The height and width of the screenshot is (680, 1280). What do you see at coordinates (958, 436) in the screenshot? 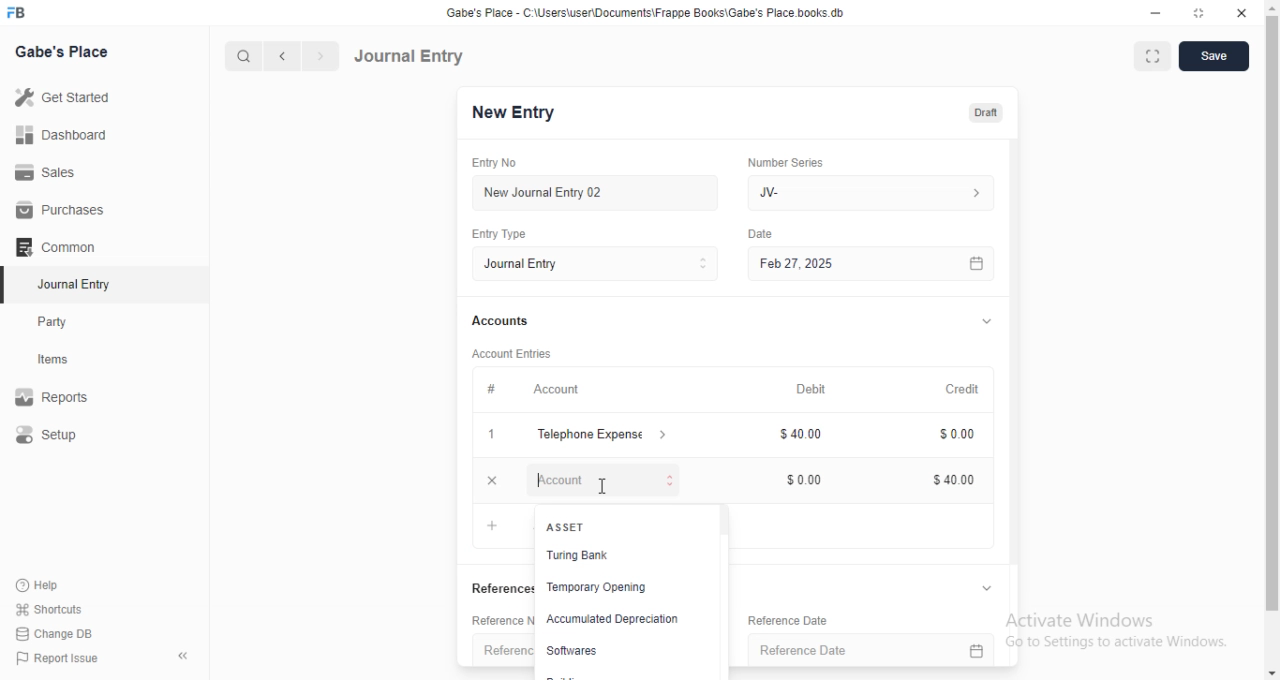
I see `0.00` at bounding box center [958, 436].